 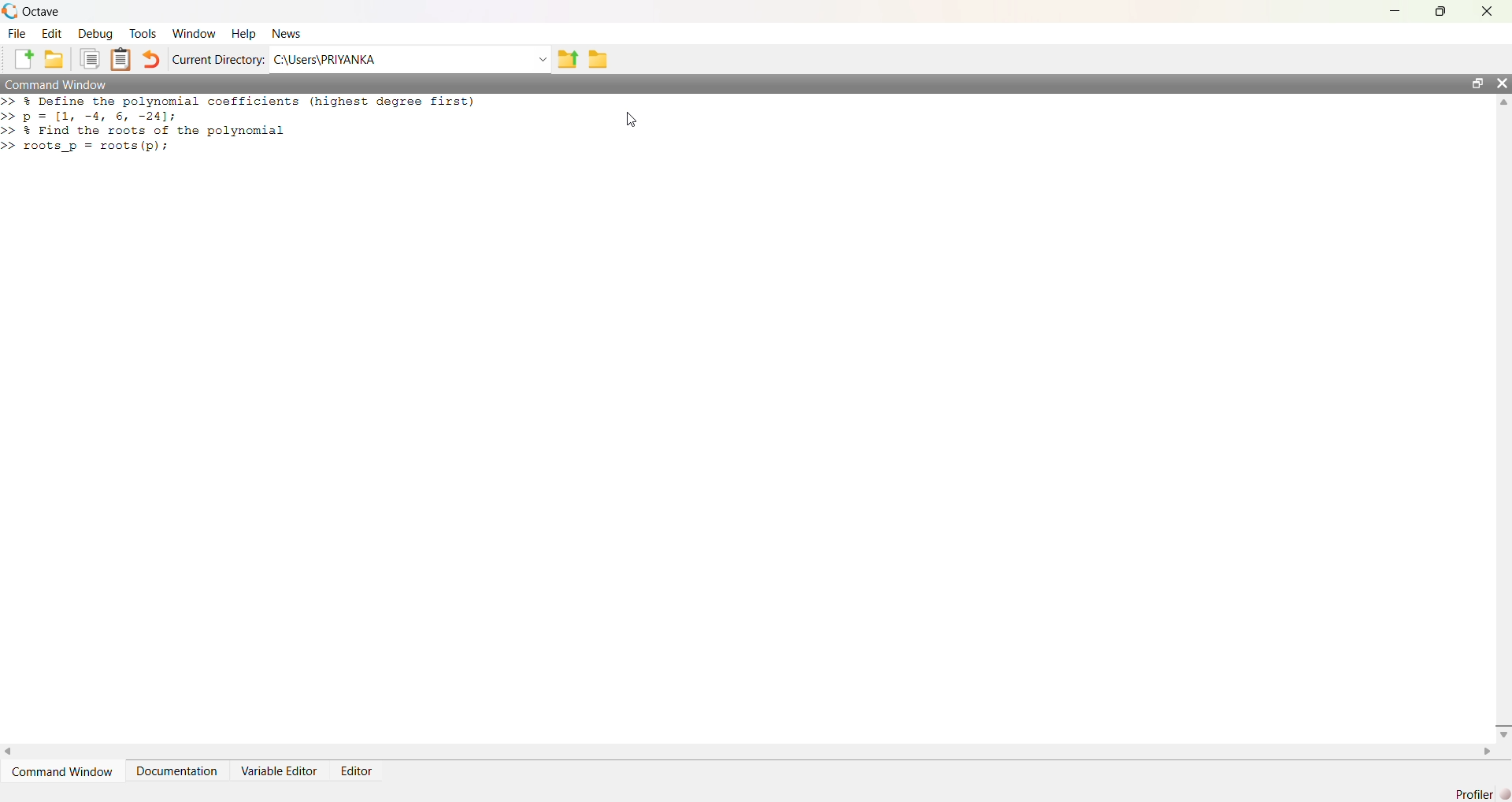 What do you see at coordinates (54, 60) in the screenshot?
I see `Folder ` at bounding box center [54, 60].